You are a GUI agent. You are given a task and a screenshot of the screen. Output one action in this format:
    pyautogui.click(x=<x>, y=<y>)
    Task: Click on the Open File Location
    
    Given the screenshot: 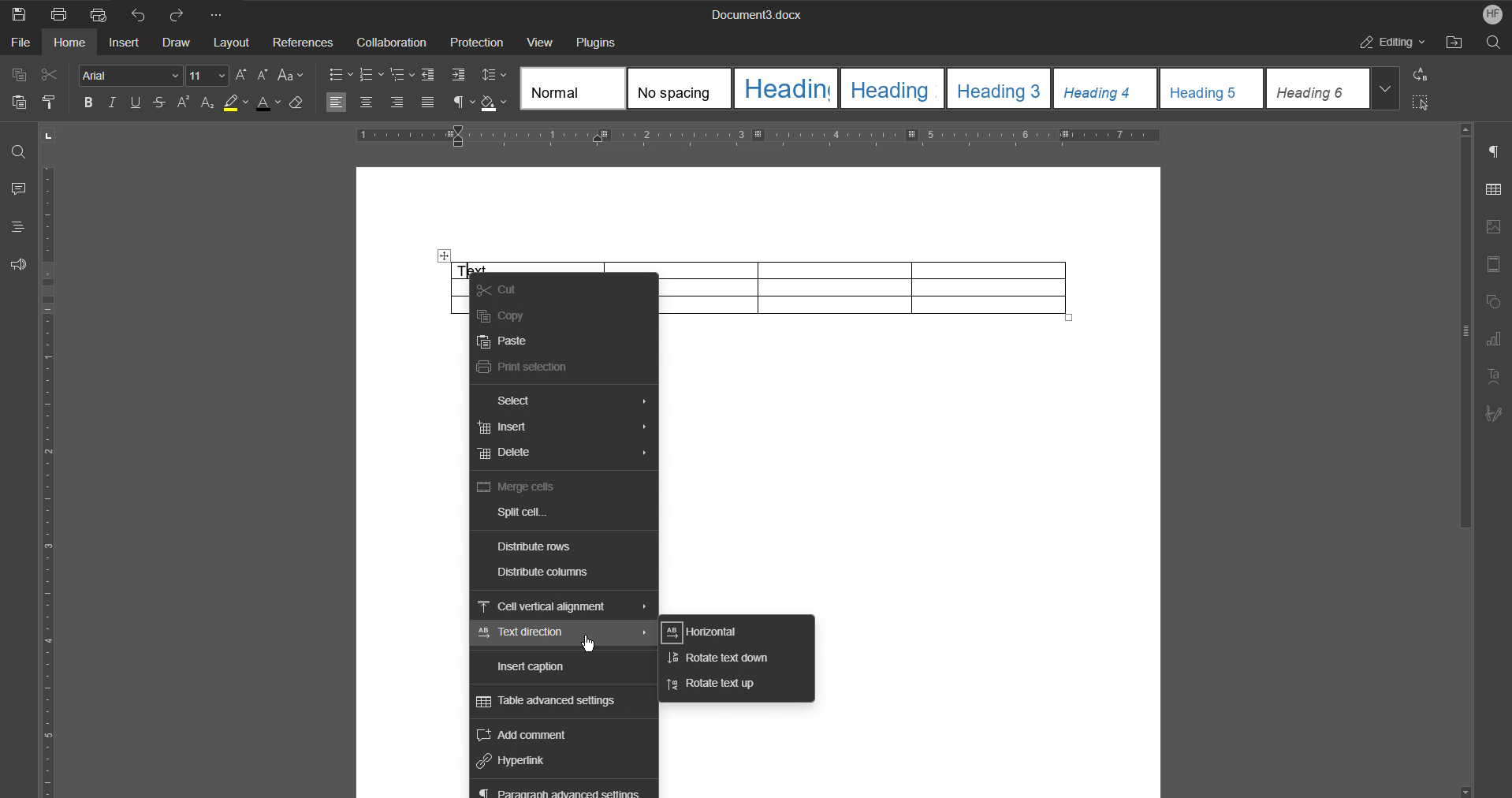 What is the action you would take?
    pyautogui.click(x=1454, y=42)
    